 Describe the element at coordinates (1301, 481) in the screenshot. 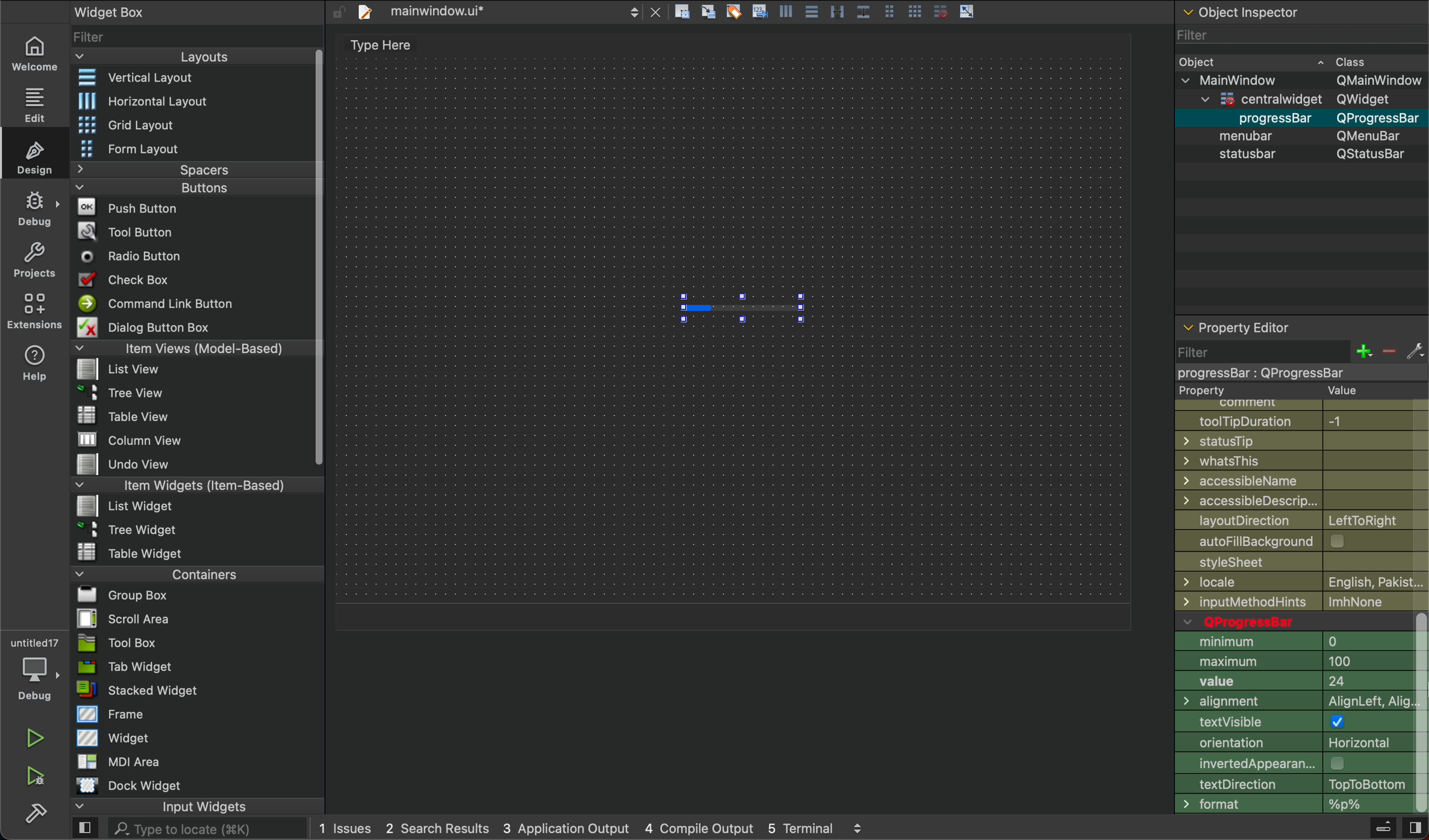

I see `Name Access` at that location.